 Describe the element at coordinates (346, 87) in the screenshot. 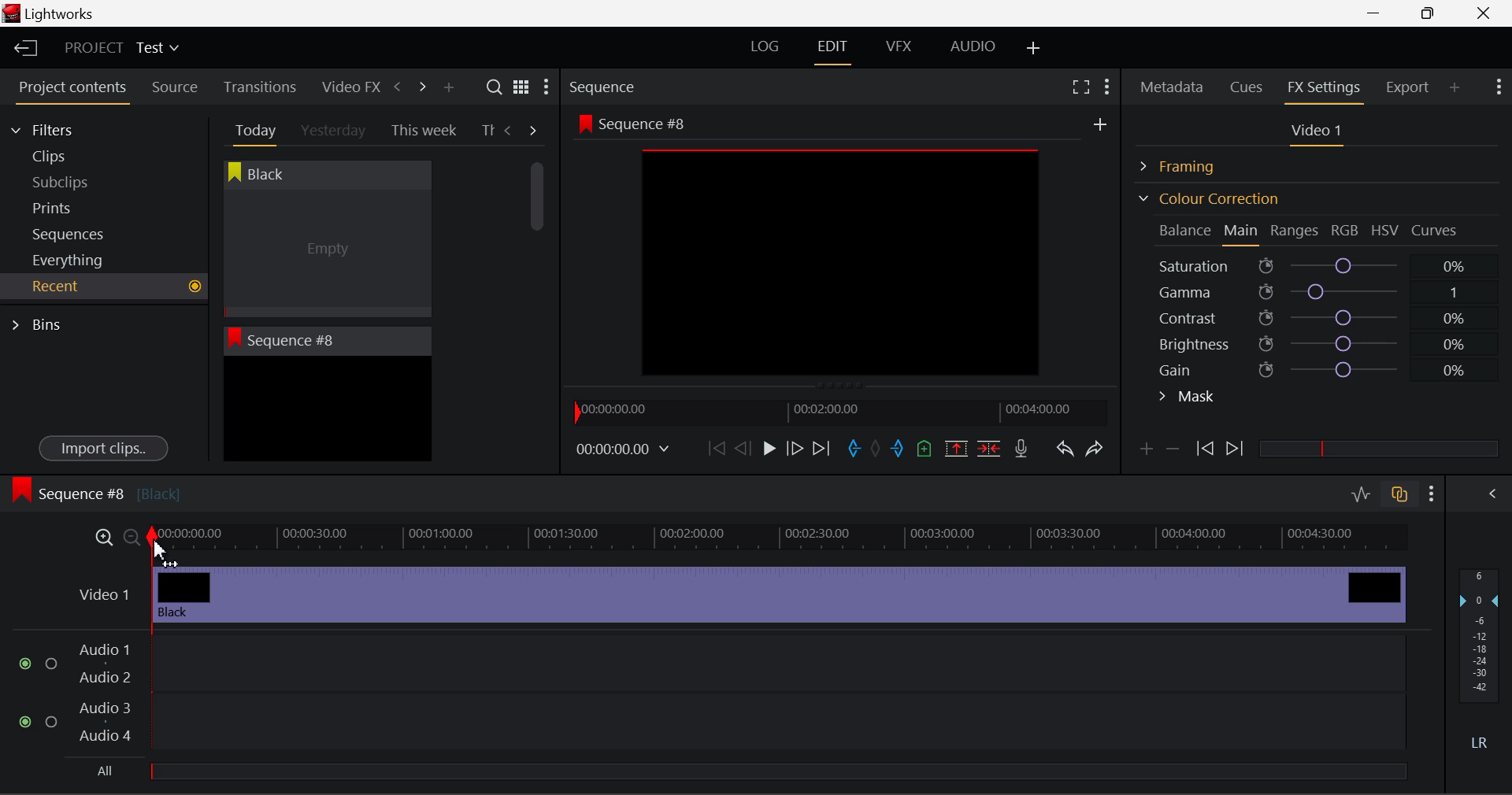

I see `Video FX` at that location.